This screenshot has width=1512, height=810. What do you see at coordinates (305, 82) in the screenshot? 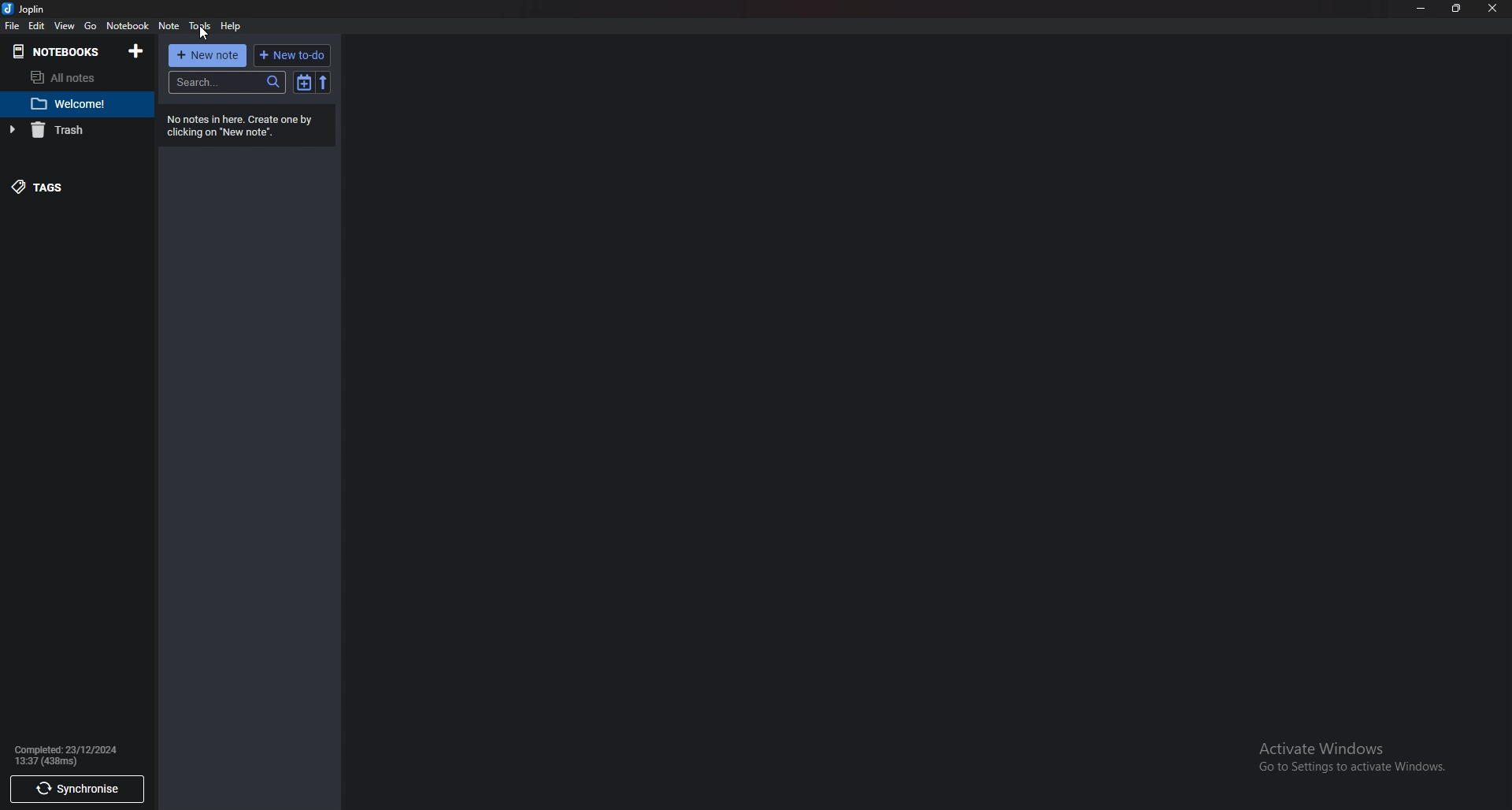
I see `Toggle sort order` at bounding box center [305, 82].